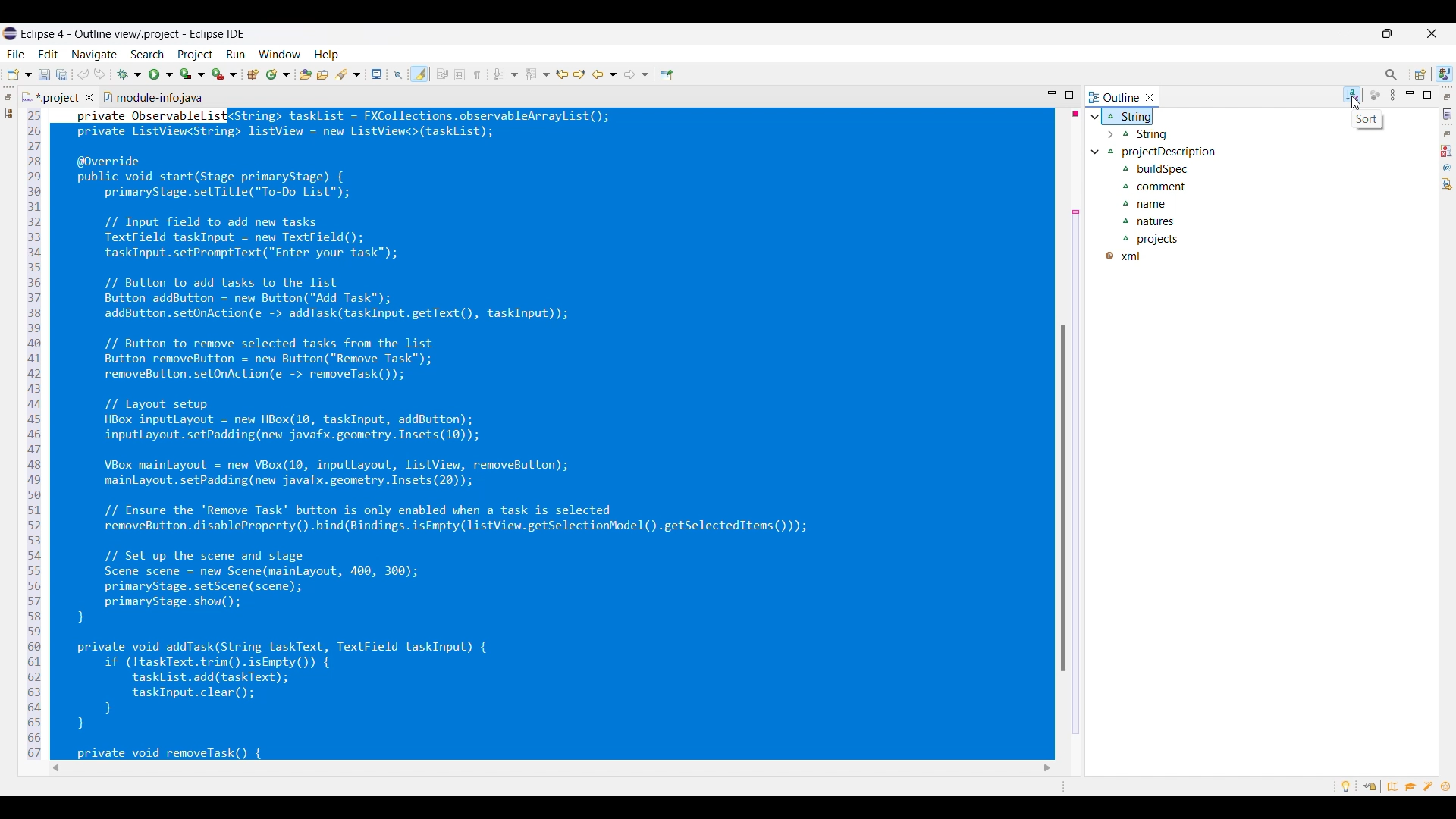 This screenshot has width=1456, height=819. I want to click on Current tab highlighted, so click(1114, 96).